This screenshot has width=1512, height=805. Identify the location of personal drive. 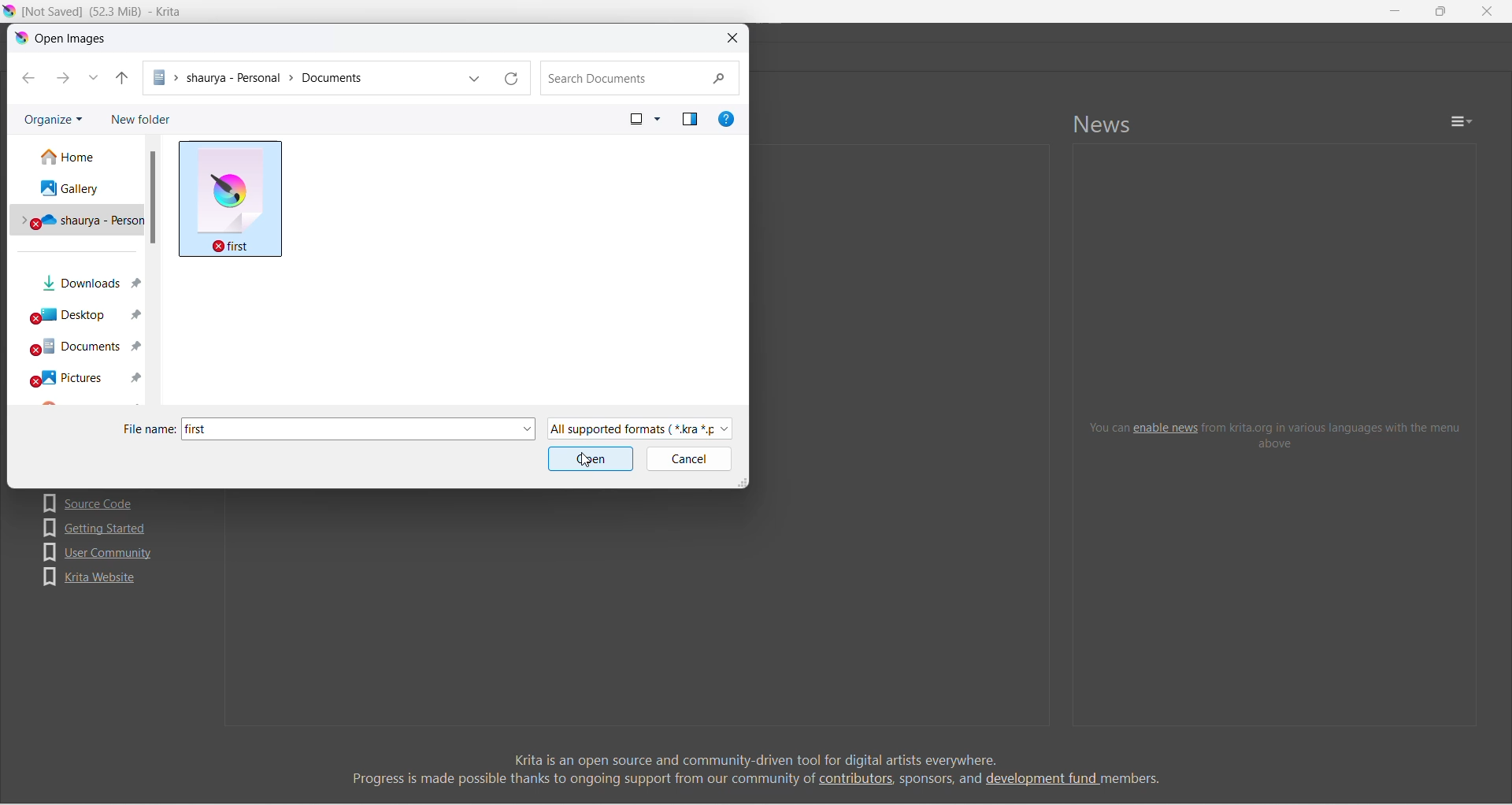
(76, 217).